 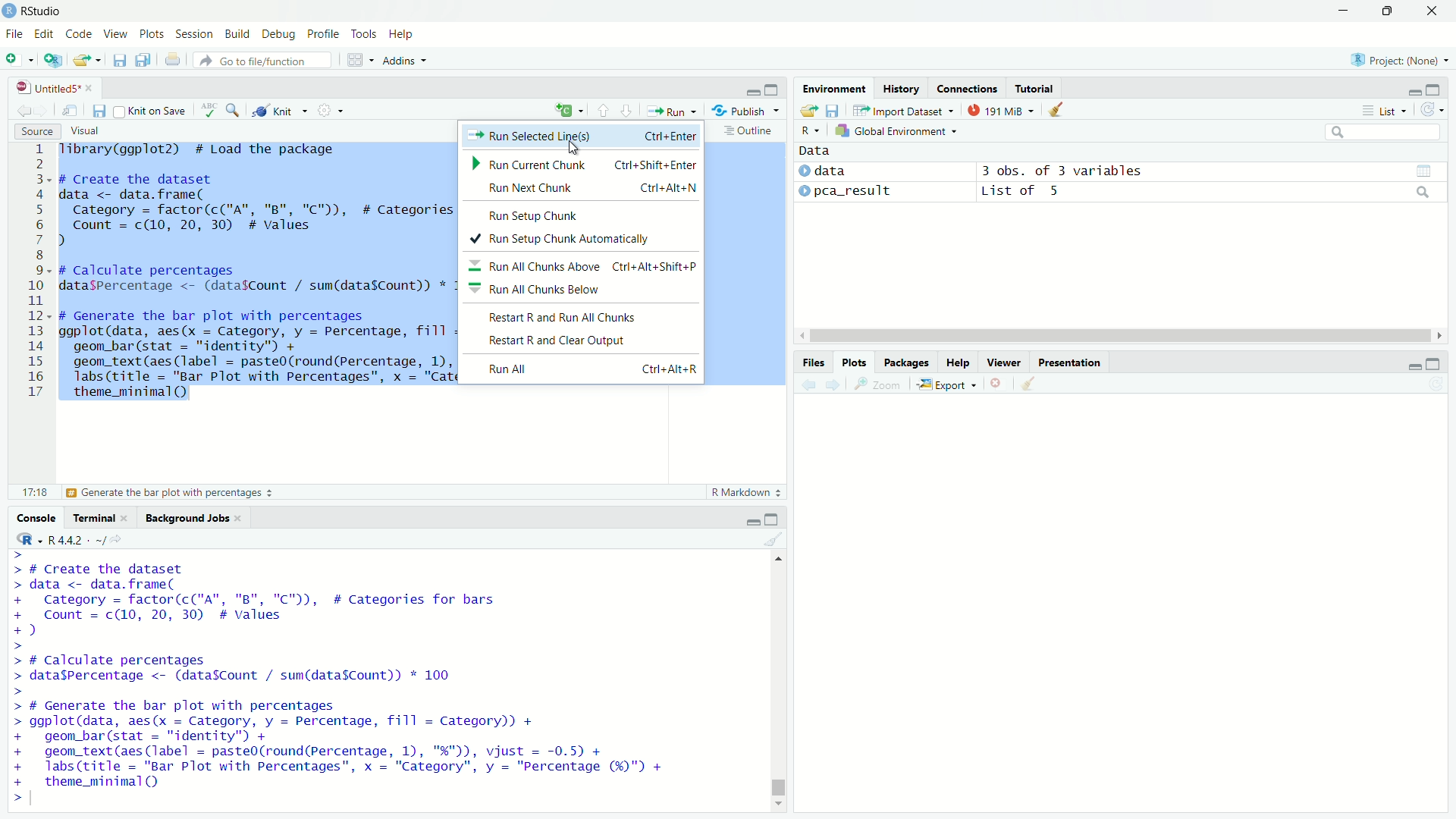 I want to click on lines, so click(x=38, y=272).